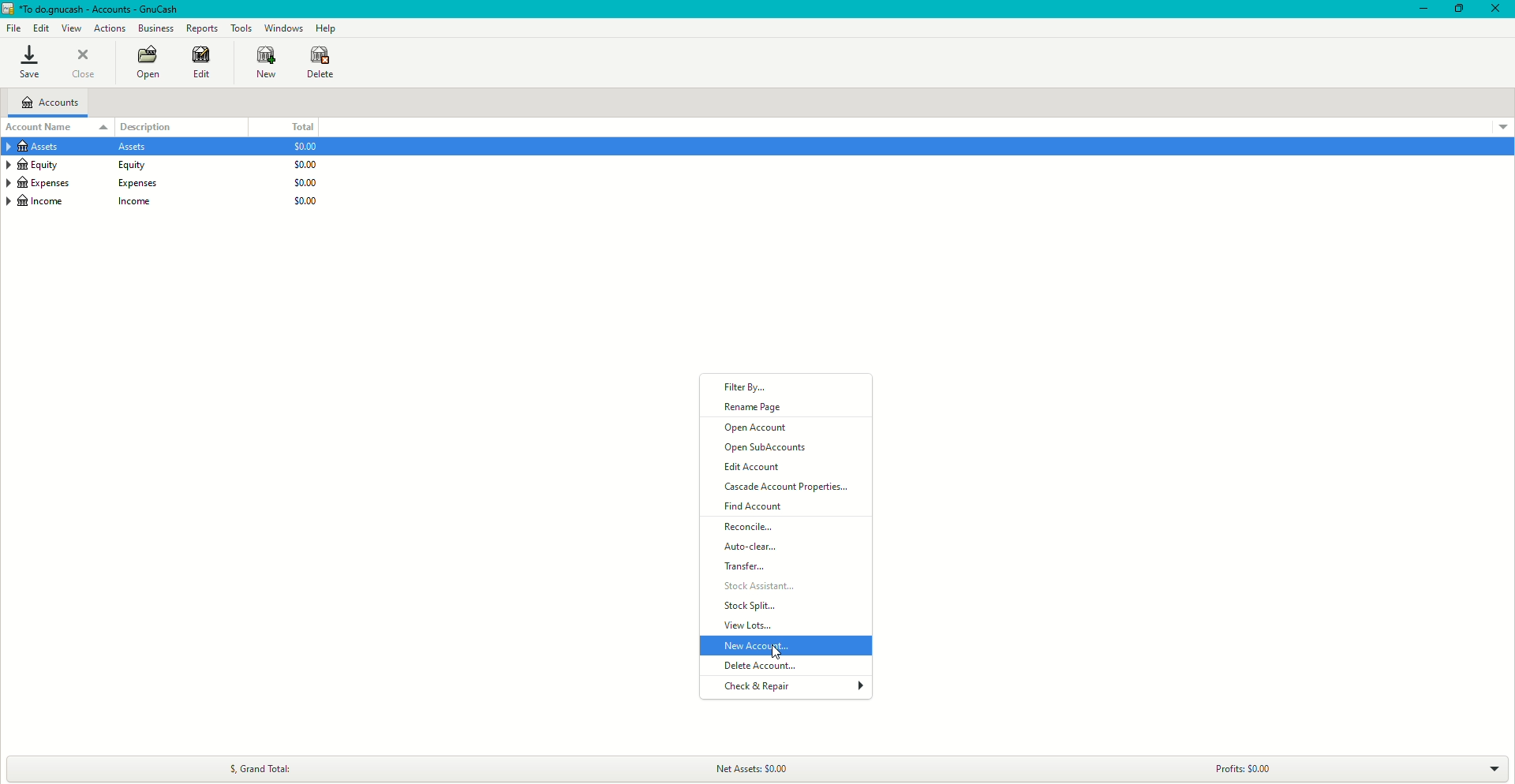 Image resolution: width=1515 pixels, height=784 pixels. I want to click on GnuCash, so click(93, 10).